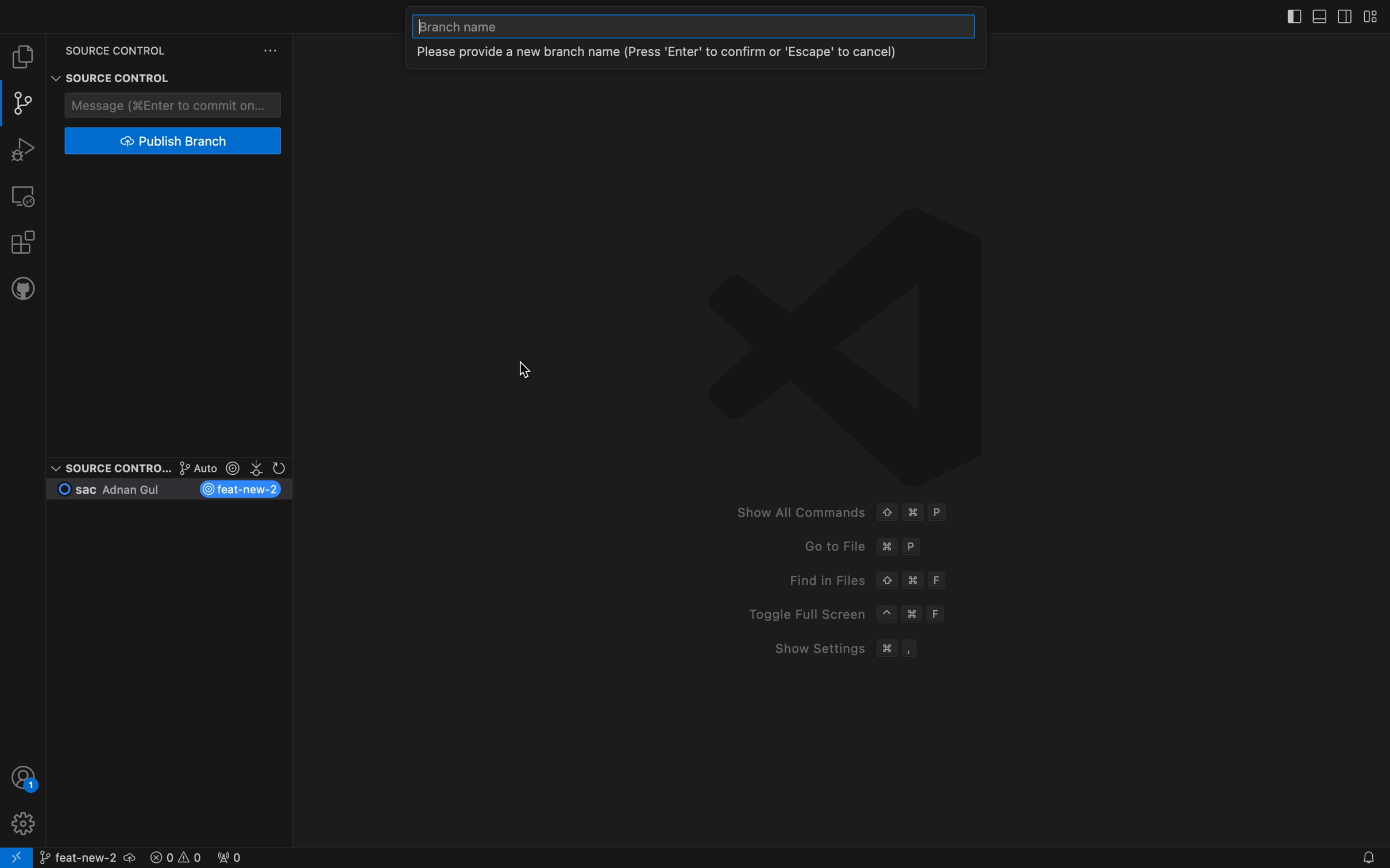 The width and height of the screenshot is (1390, 868). I want to click on extensions, so click(22, 241).